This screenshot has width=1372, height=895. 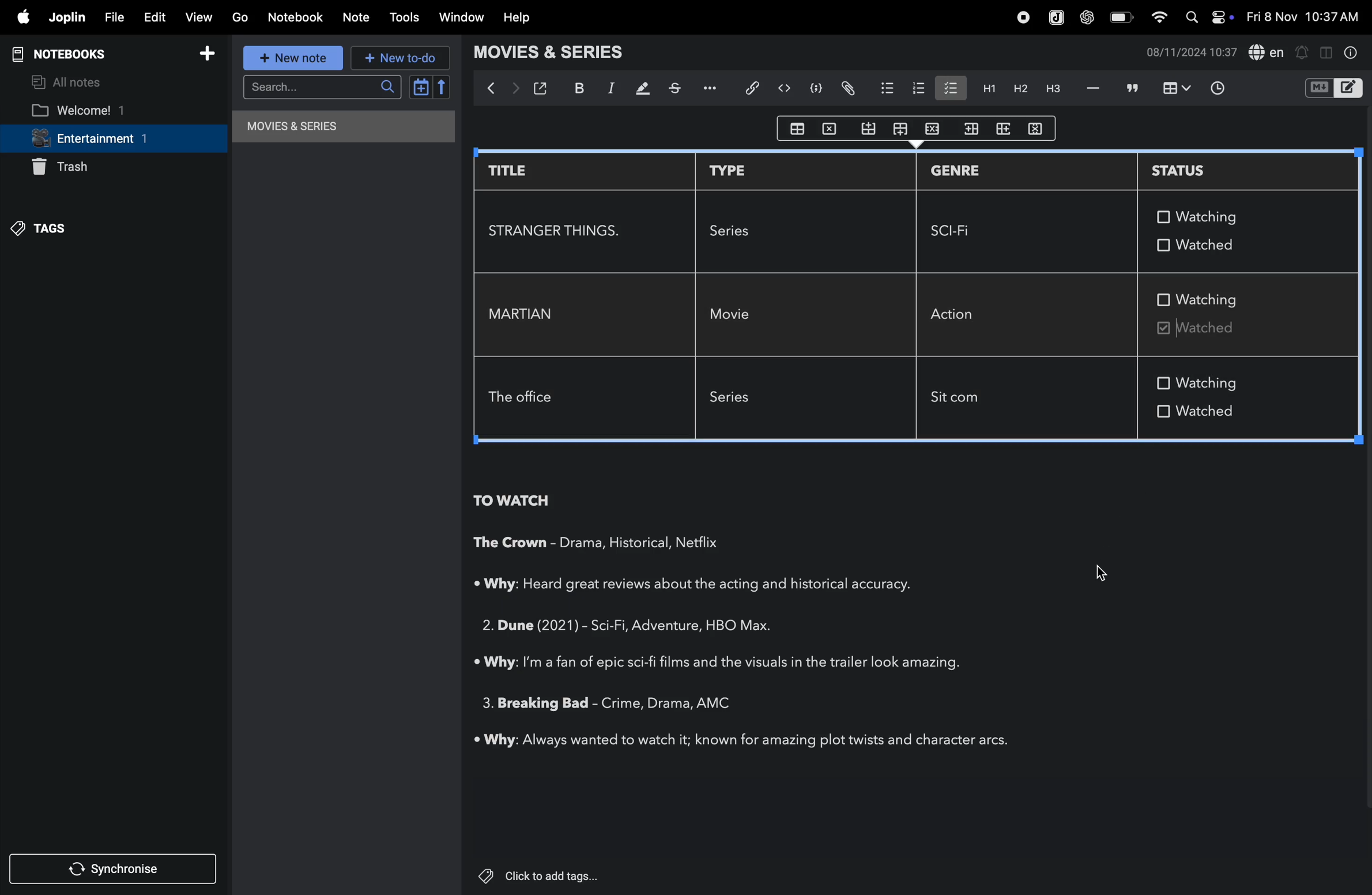 I want to click on series, so click(x=738, y=230).